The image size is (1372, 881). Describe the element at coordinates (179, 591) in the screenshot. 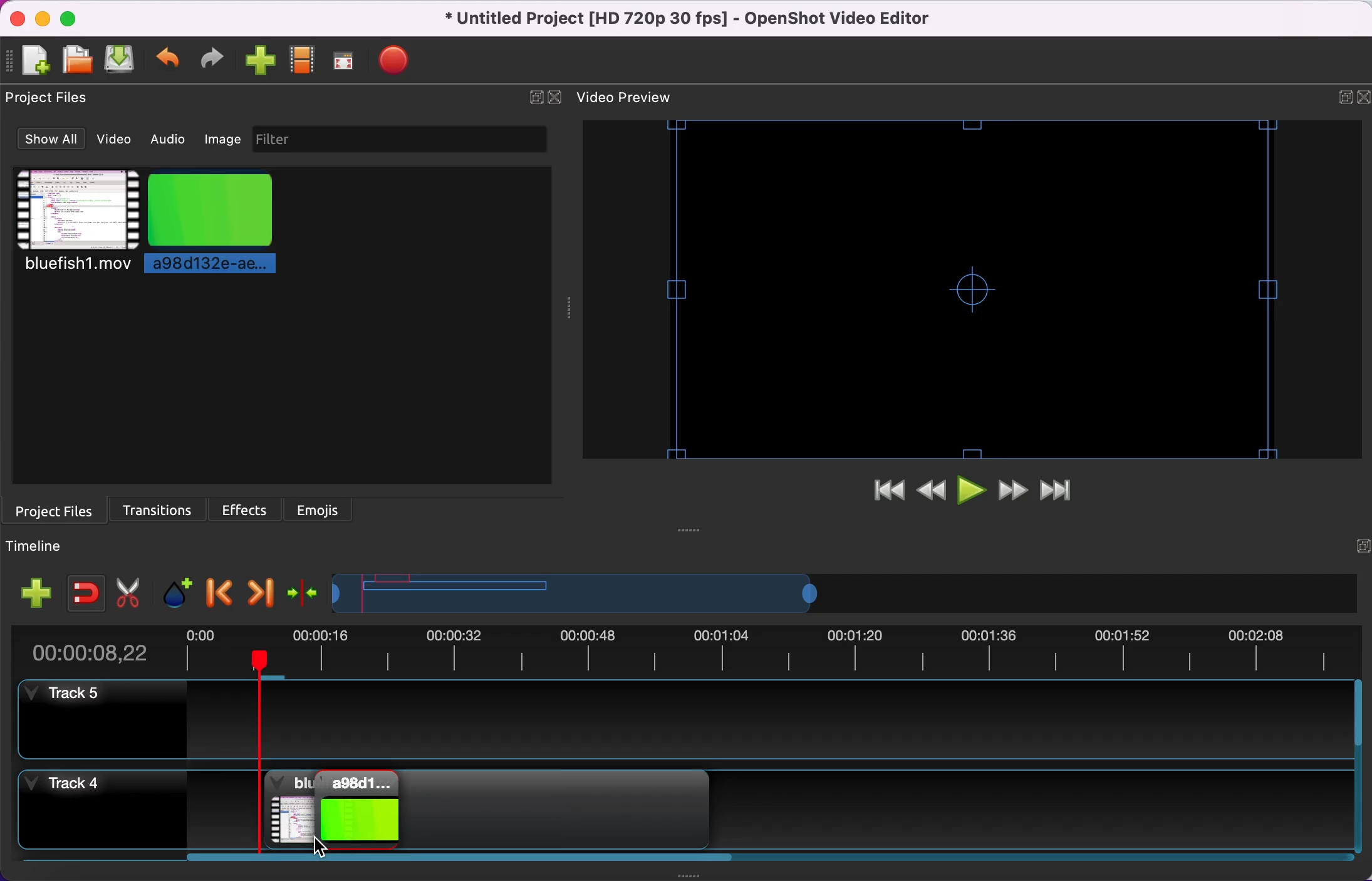

I see `add marker` at that location.